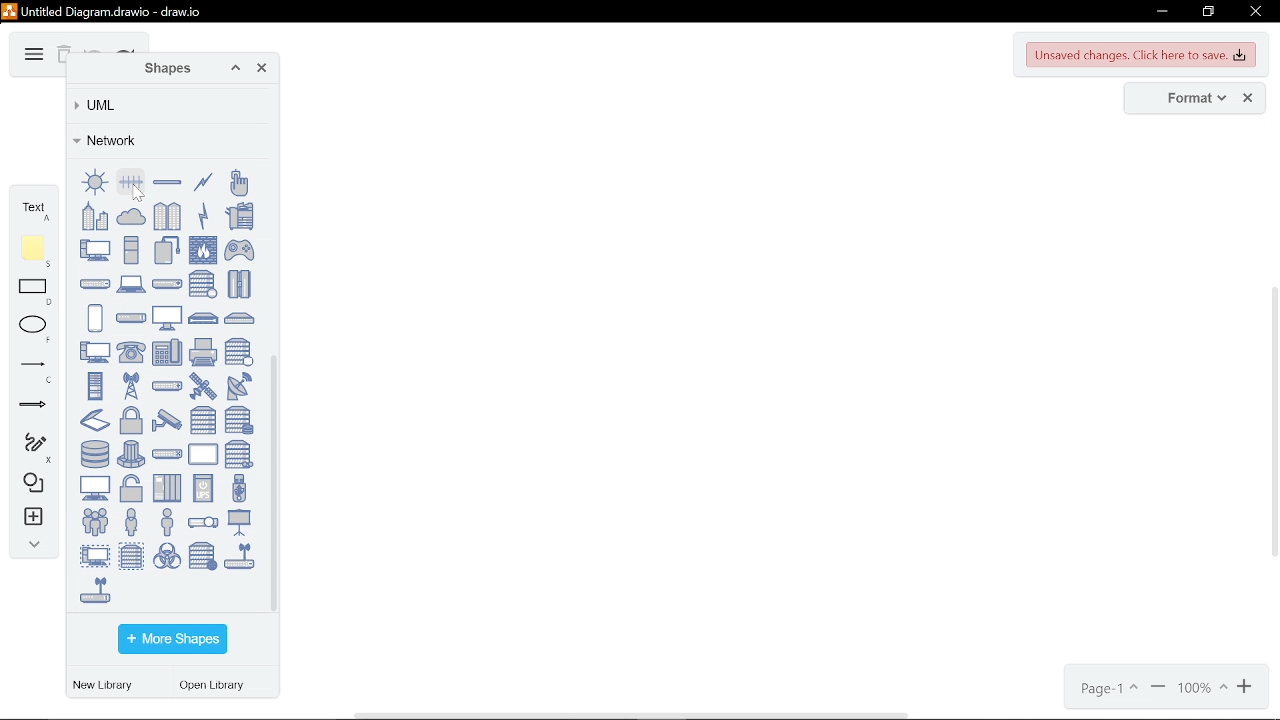 The height and width of the screenshot is (720, 1280). Describe the element at coordinates (239, 318) in the screenshot. I see `patch panel` at that location.